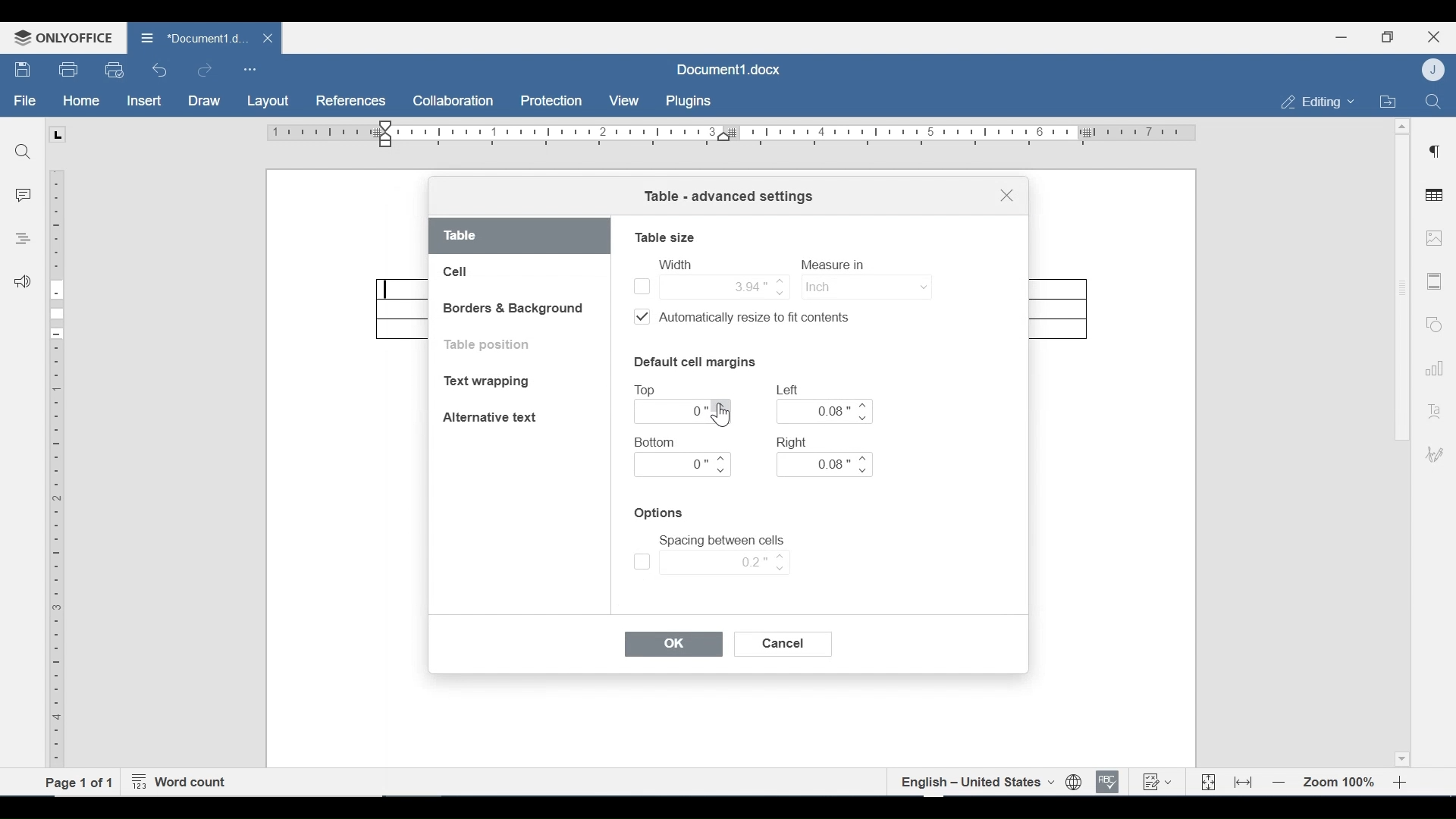 The image size is (1456, 819). What do you see at coordinates (730, 133) in the screenshot?
I see `Horizontal Ruler` at bounding box center [730, 133].